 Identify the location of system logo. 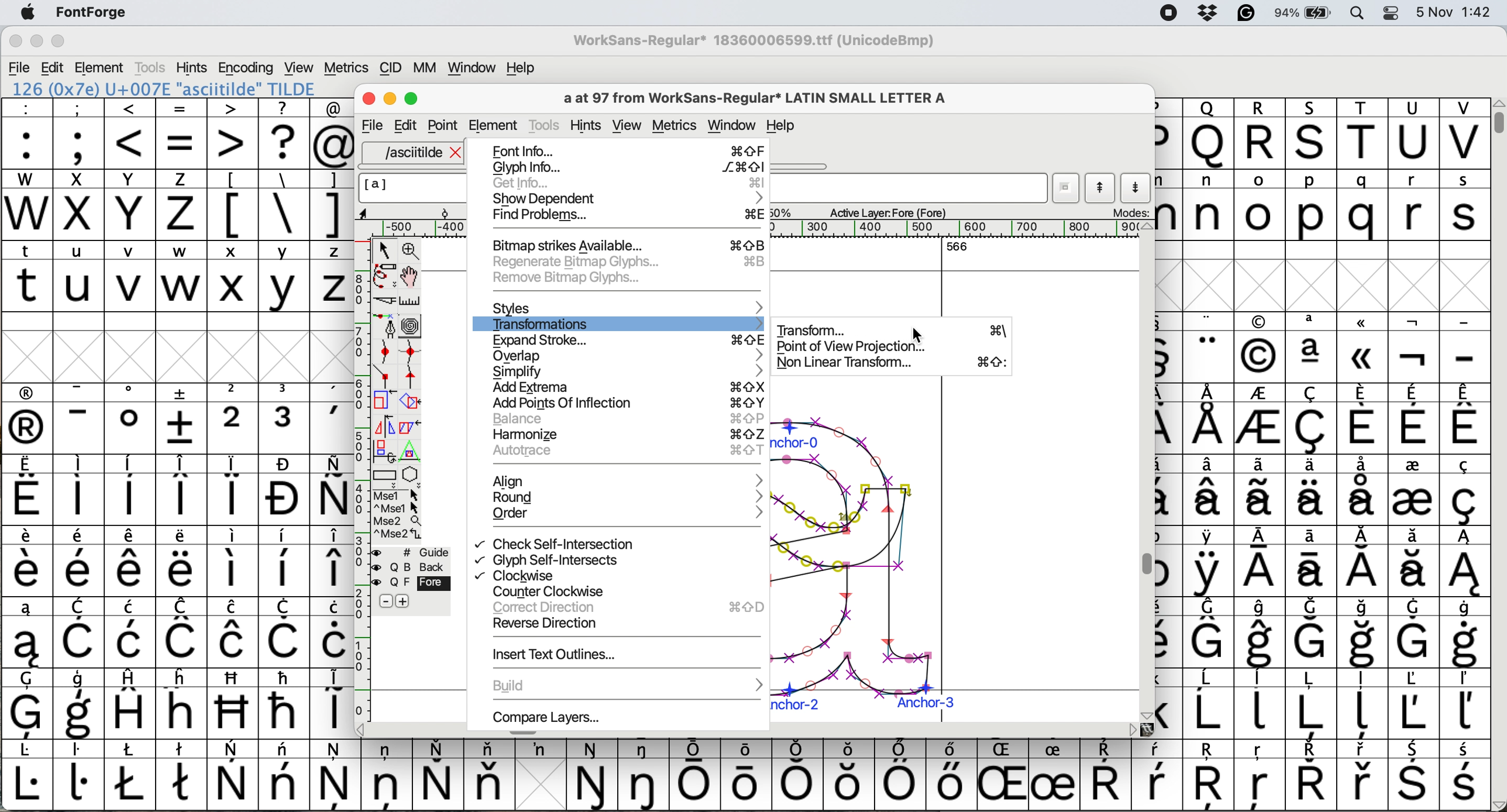
(27, 13).